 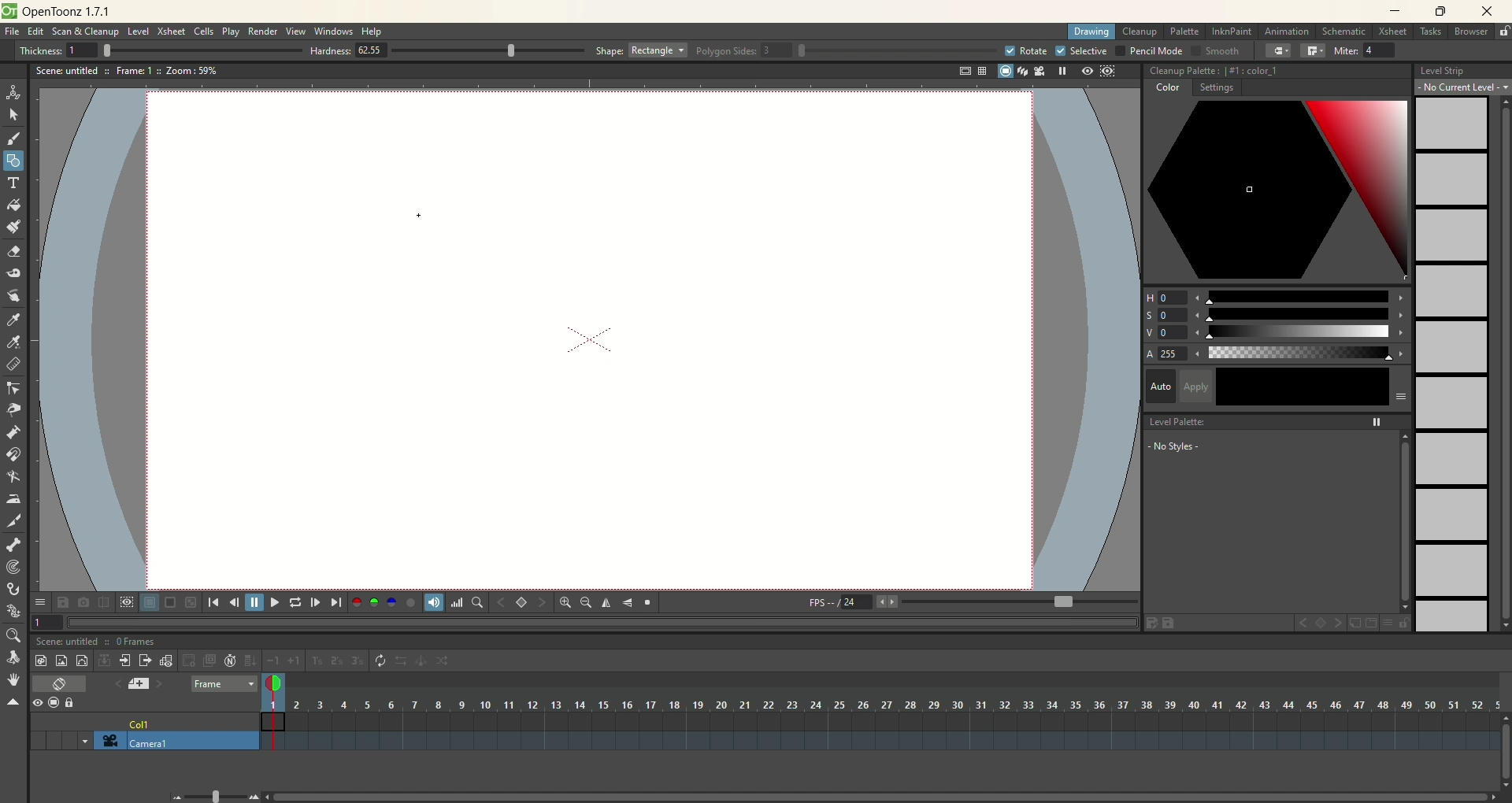 What do you see at coordinates (1441, 13) in the screenshot?
I see `maximize` at bounding box center [1441, 13].